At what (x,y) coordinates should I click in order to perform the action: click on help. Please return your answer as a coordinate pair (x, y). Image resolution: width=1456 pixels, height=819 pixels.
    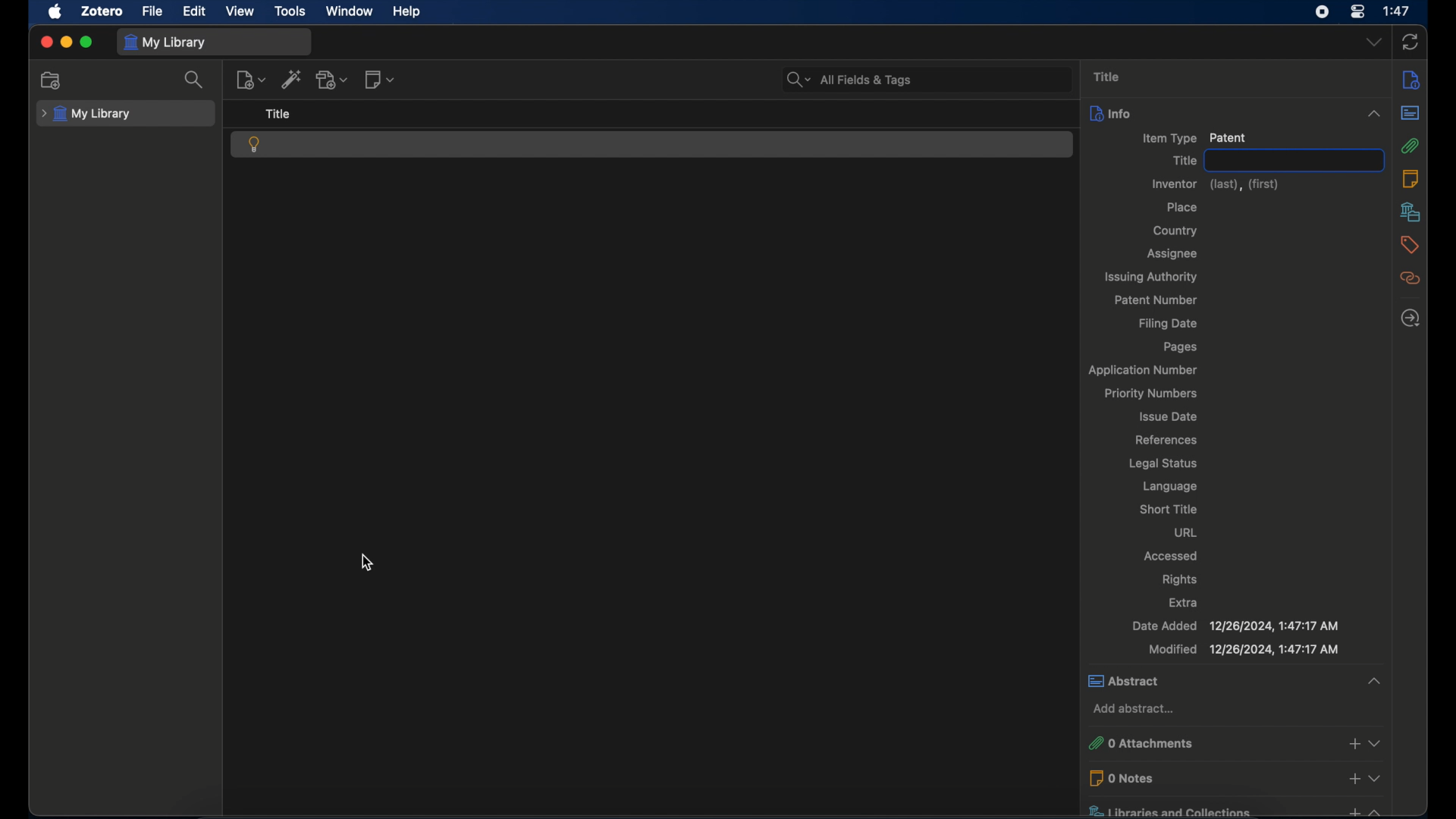
    Looking at the image, I should click on (406, 12).